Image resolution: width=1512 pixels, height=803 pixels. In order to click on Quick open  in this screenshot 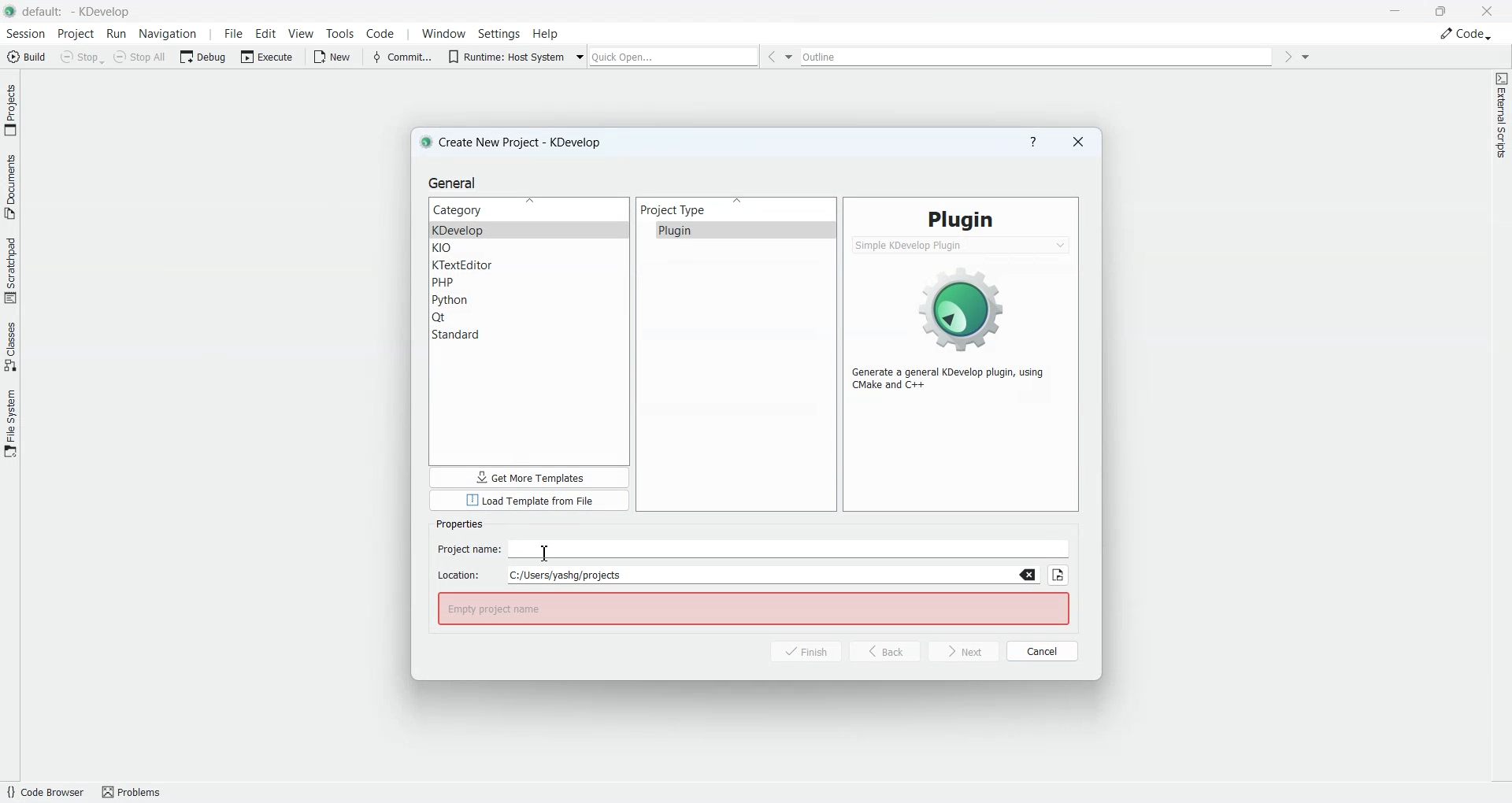, I will do `click(674, 57)`.